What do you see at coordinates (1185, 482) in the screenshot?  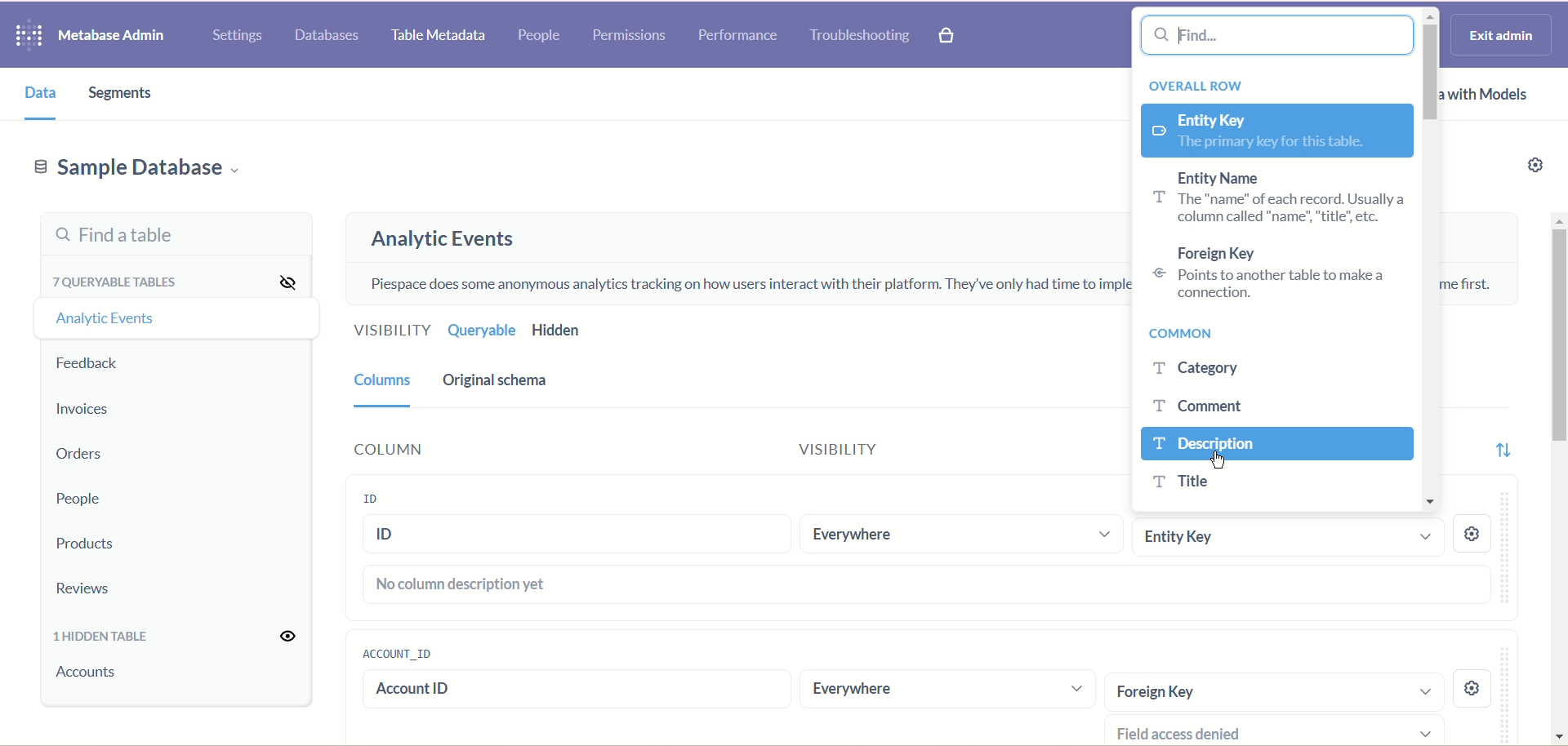 I see `title` at bounding box center [1185, 482].